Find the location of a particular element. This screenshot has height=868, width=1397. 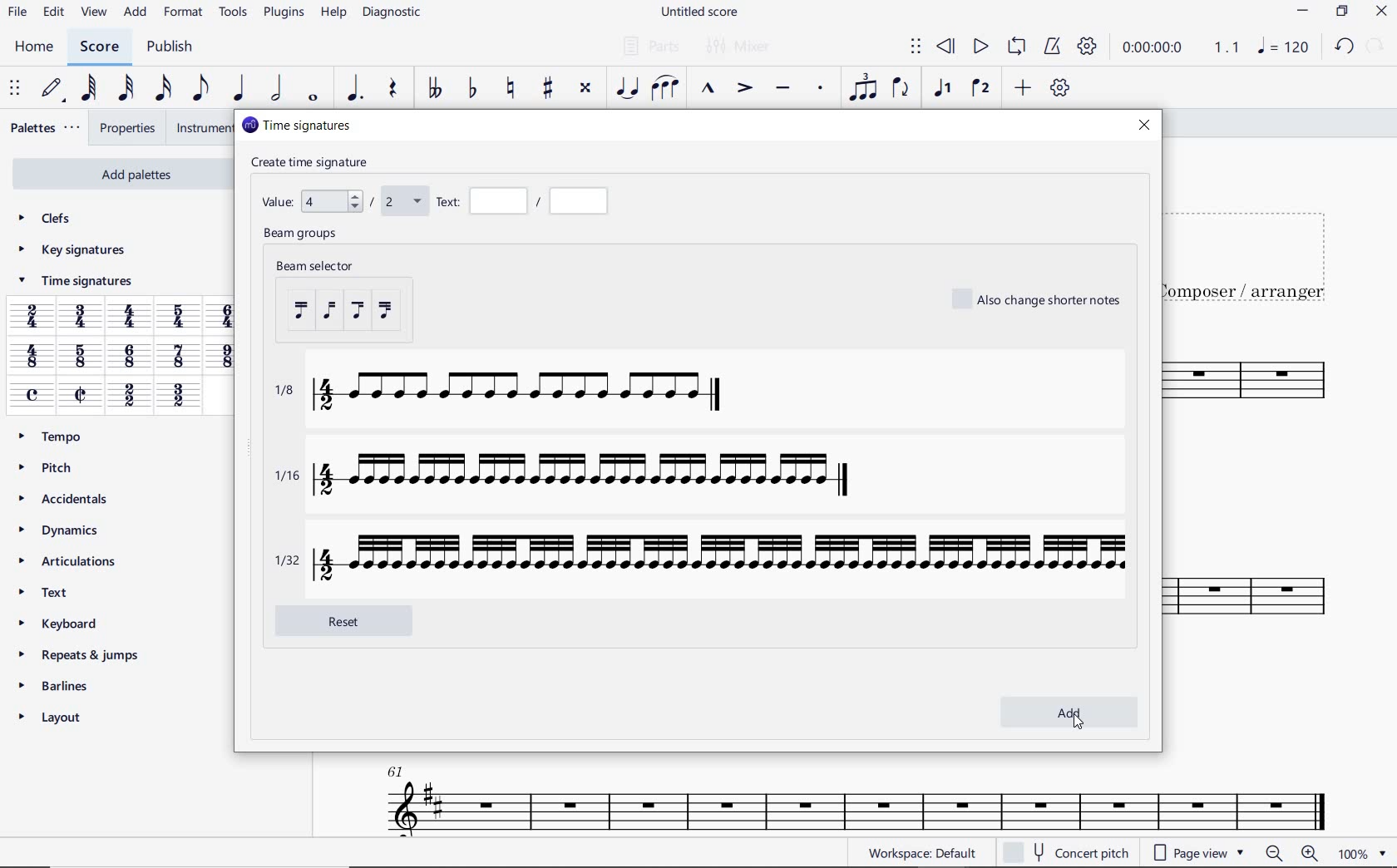

time signatures is located at coordinates (295, 125).